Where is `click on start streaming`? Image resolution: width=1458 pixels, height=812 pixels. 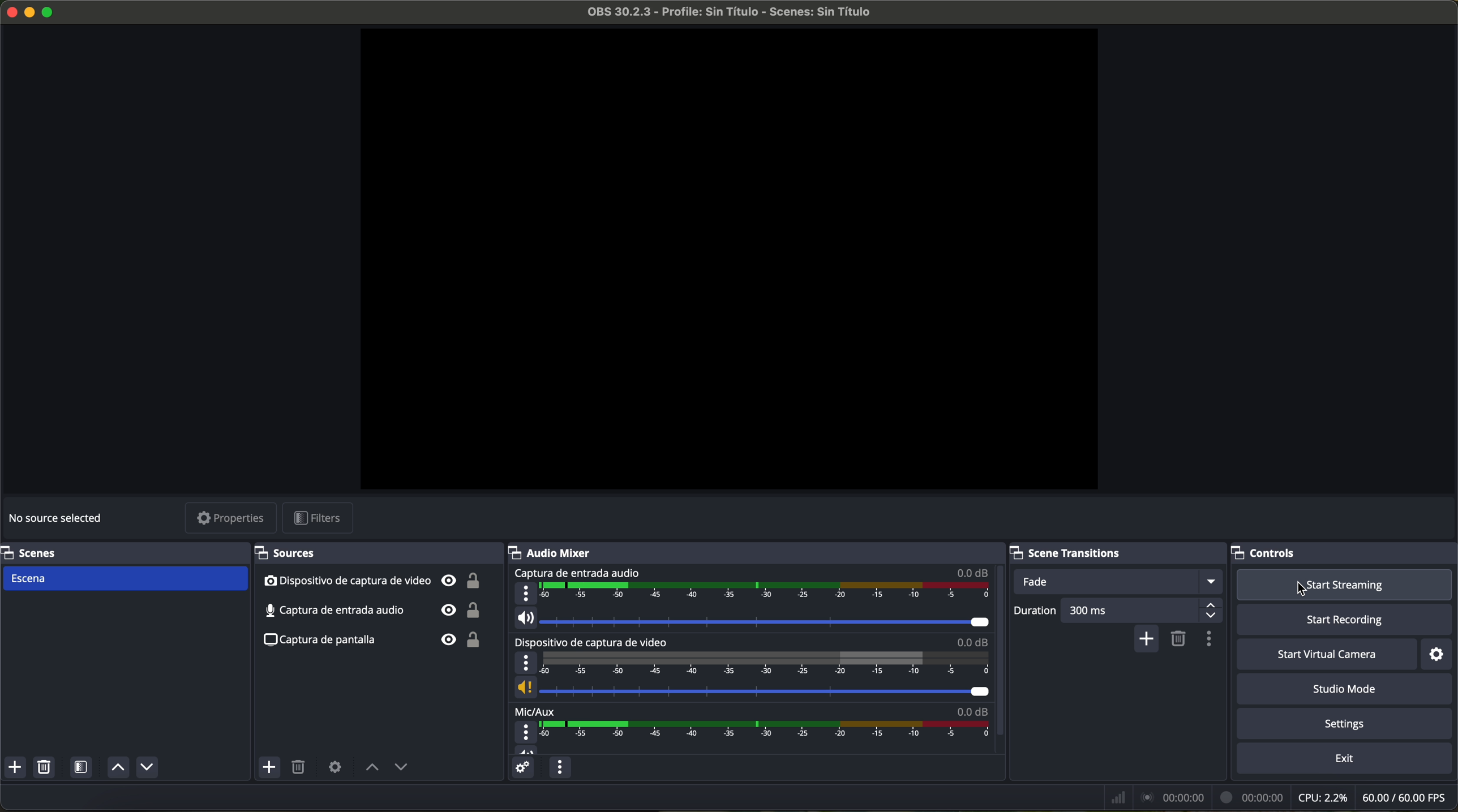
click on start streaming is located at coordinates (1345, 586).